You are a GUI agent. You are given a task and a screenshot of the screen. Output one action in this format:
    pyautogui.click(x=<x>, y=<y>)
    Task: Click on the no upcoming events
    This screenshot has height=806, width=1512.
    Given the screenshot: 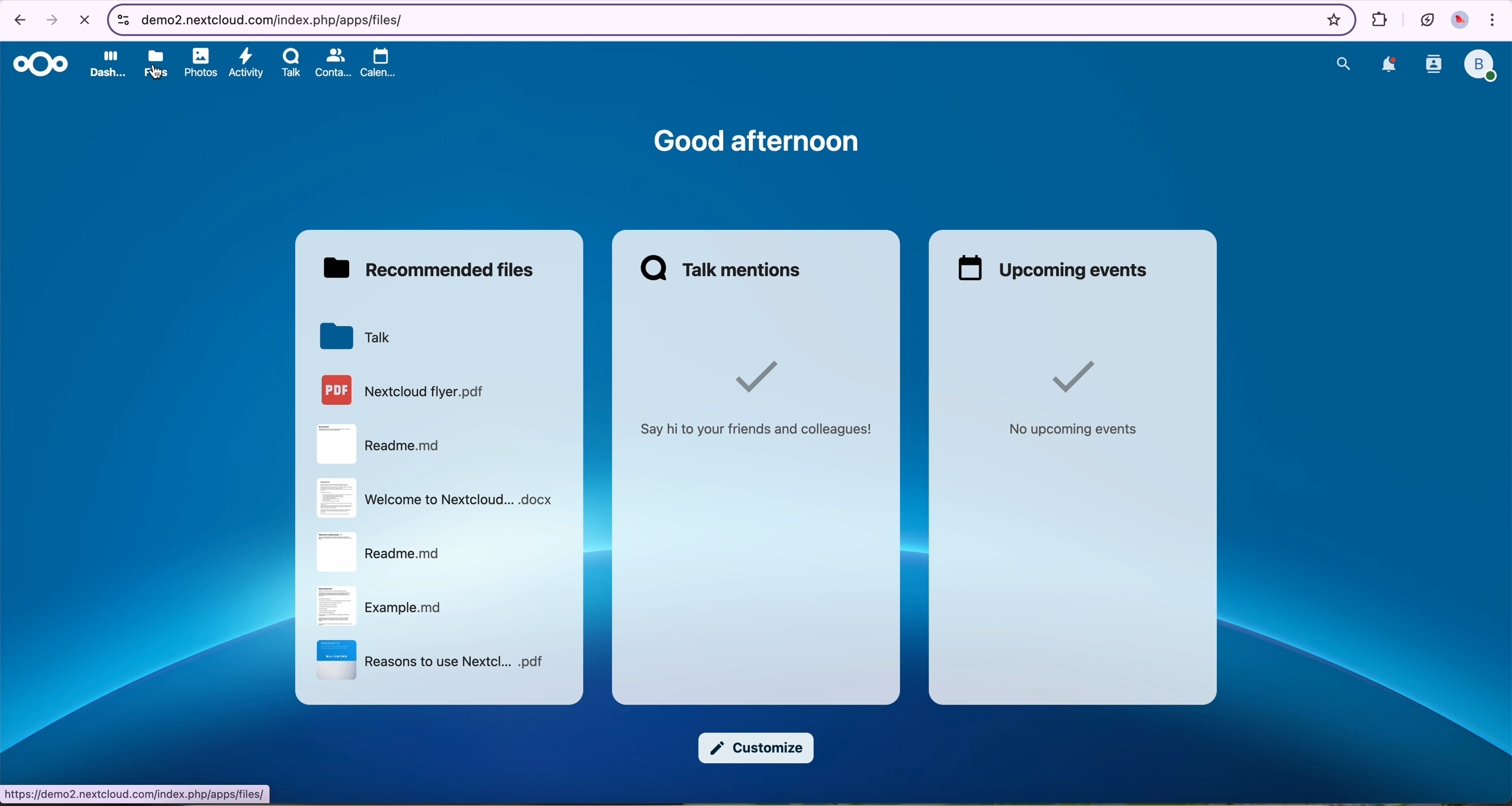 What is the action you would take?
    pyautogui.click(x=1069, y=398)
    